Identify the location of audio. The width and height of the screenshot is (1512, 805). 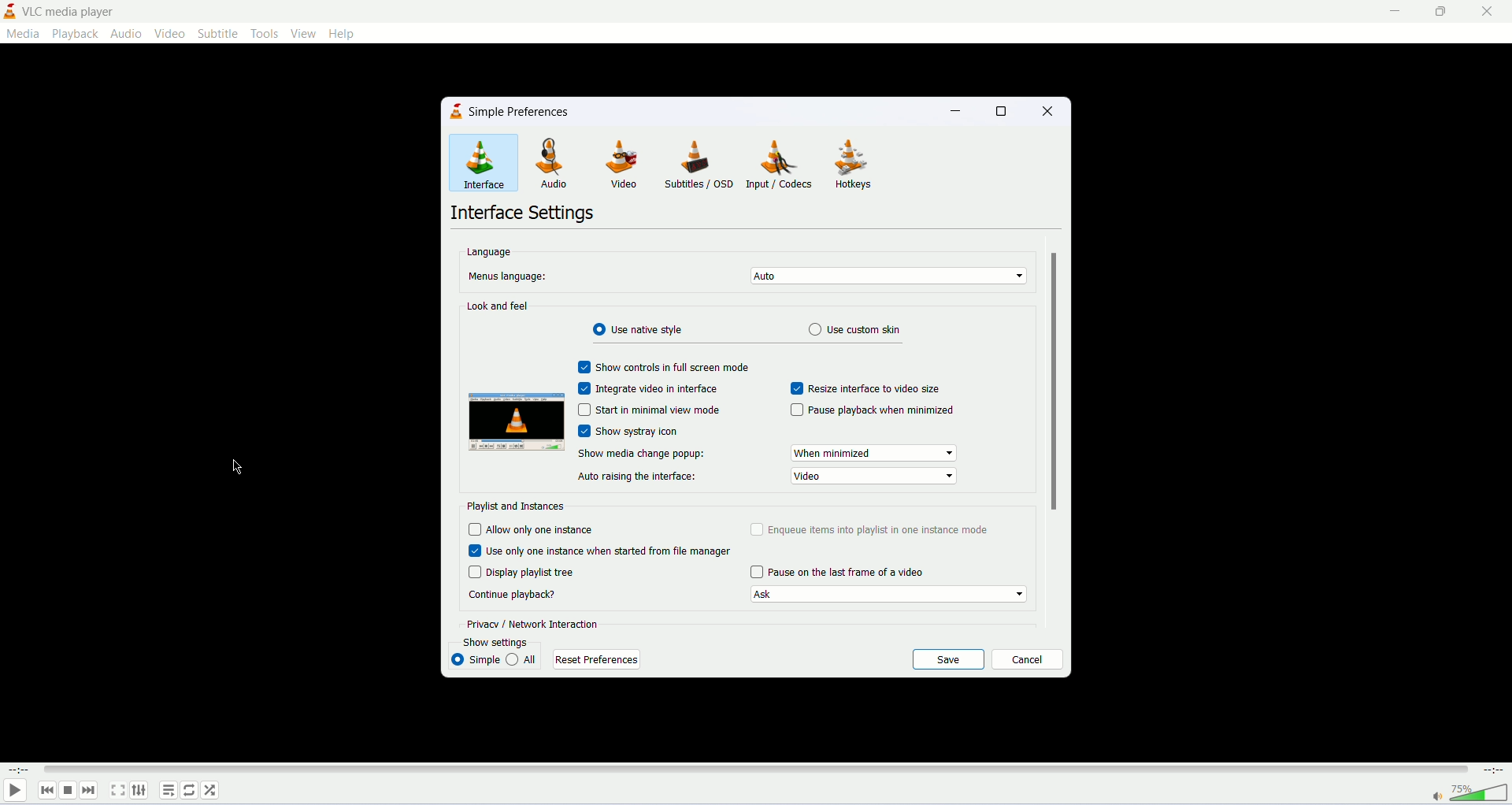
(552, 164).